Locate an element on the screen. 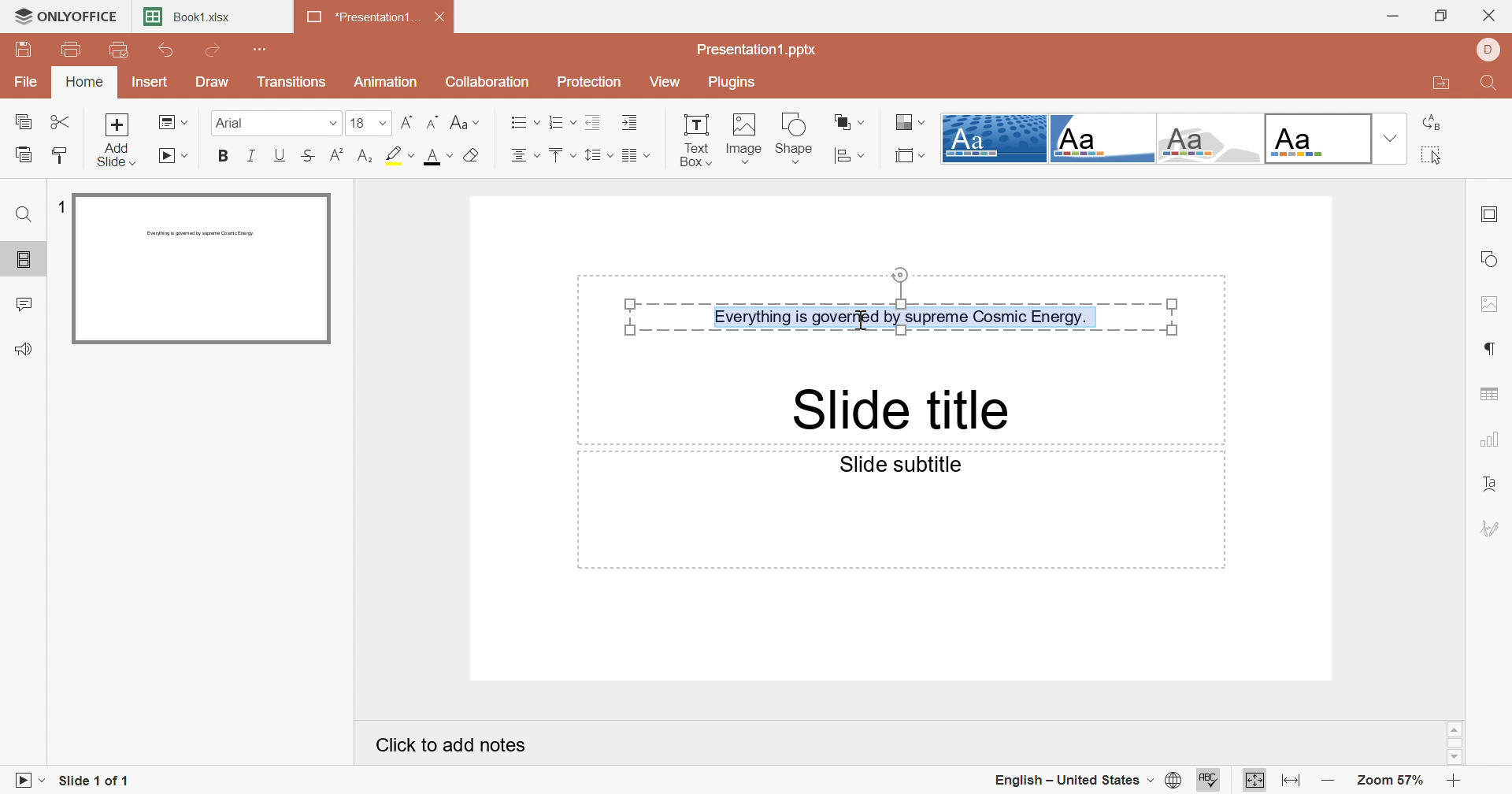 This screenshot has height=794, width=1512. *Presentation1... is located at coordinates (365, 18).